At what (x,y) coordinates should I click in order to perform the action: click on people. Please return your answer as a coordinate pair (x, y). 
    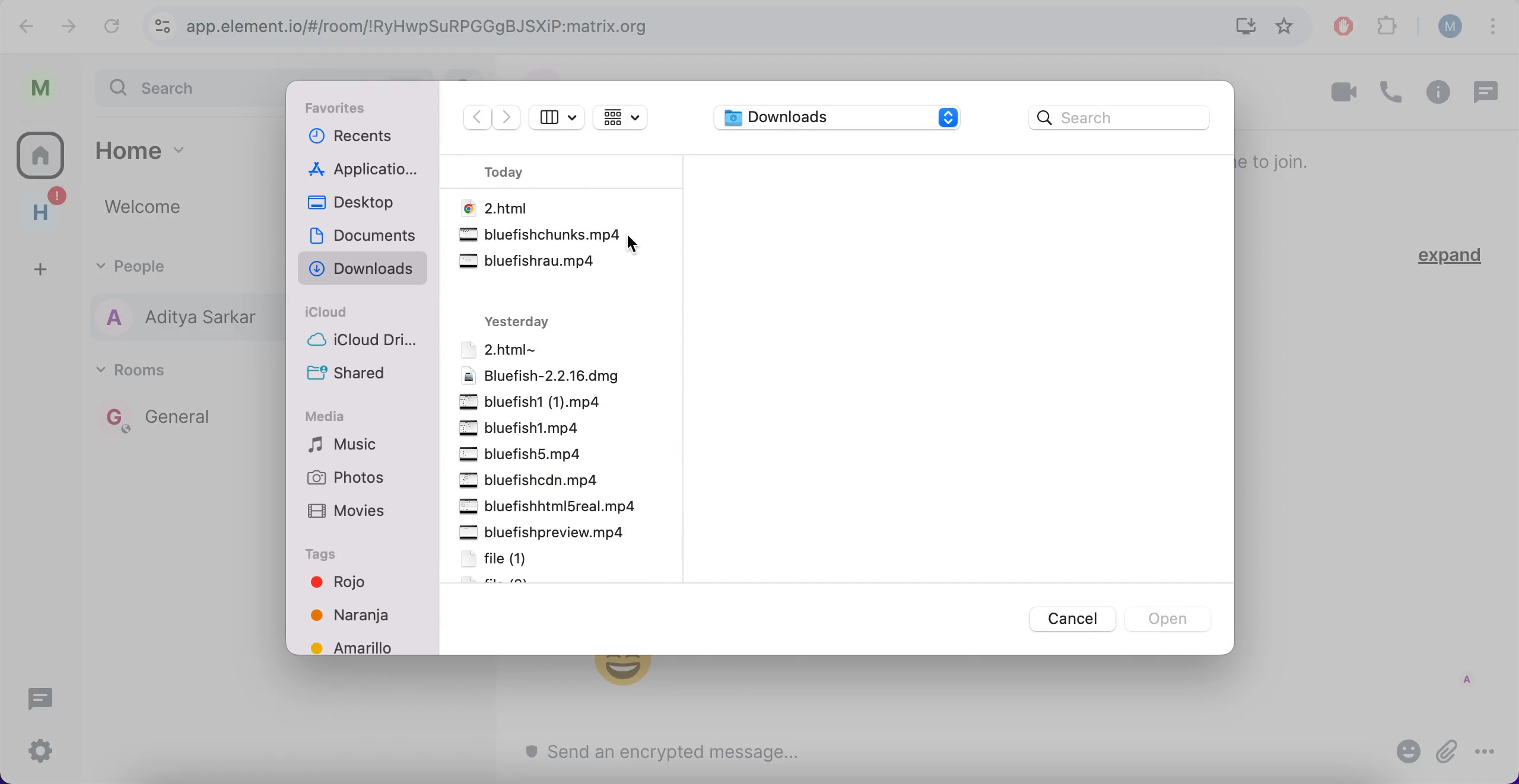
    Looking at the image, I should click on (170, 263).